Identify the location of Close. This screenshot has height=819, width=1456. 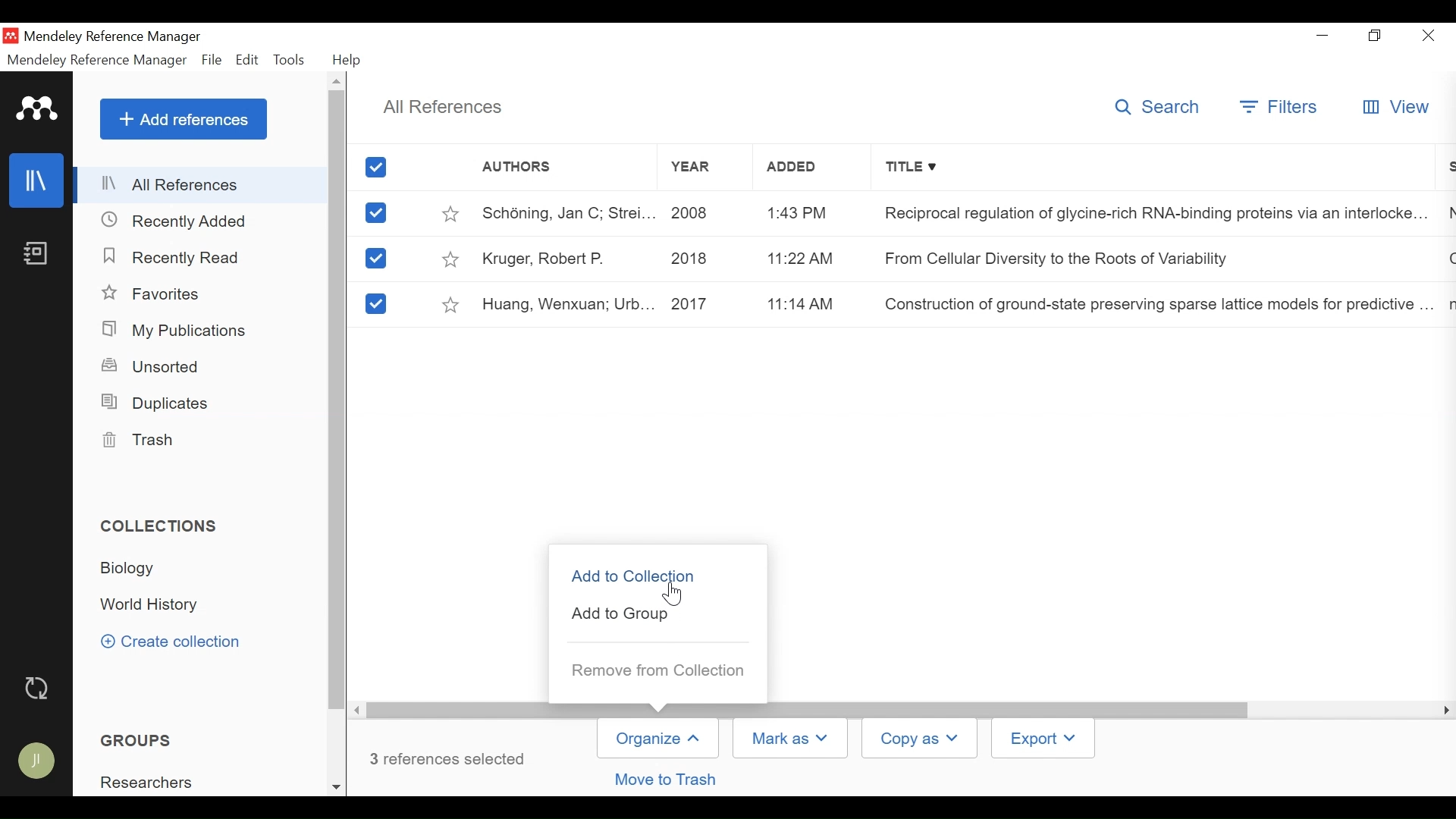
(1429, 36).